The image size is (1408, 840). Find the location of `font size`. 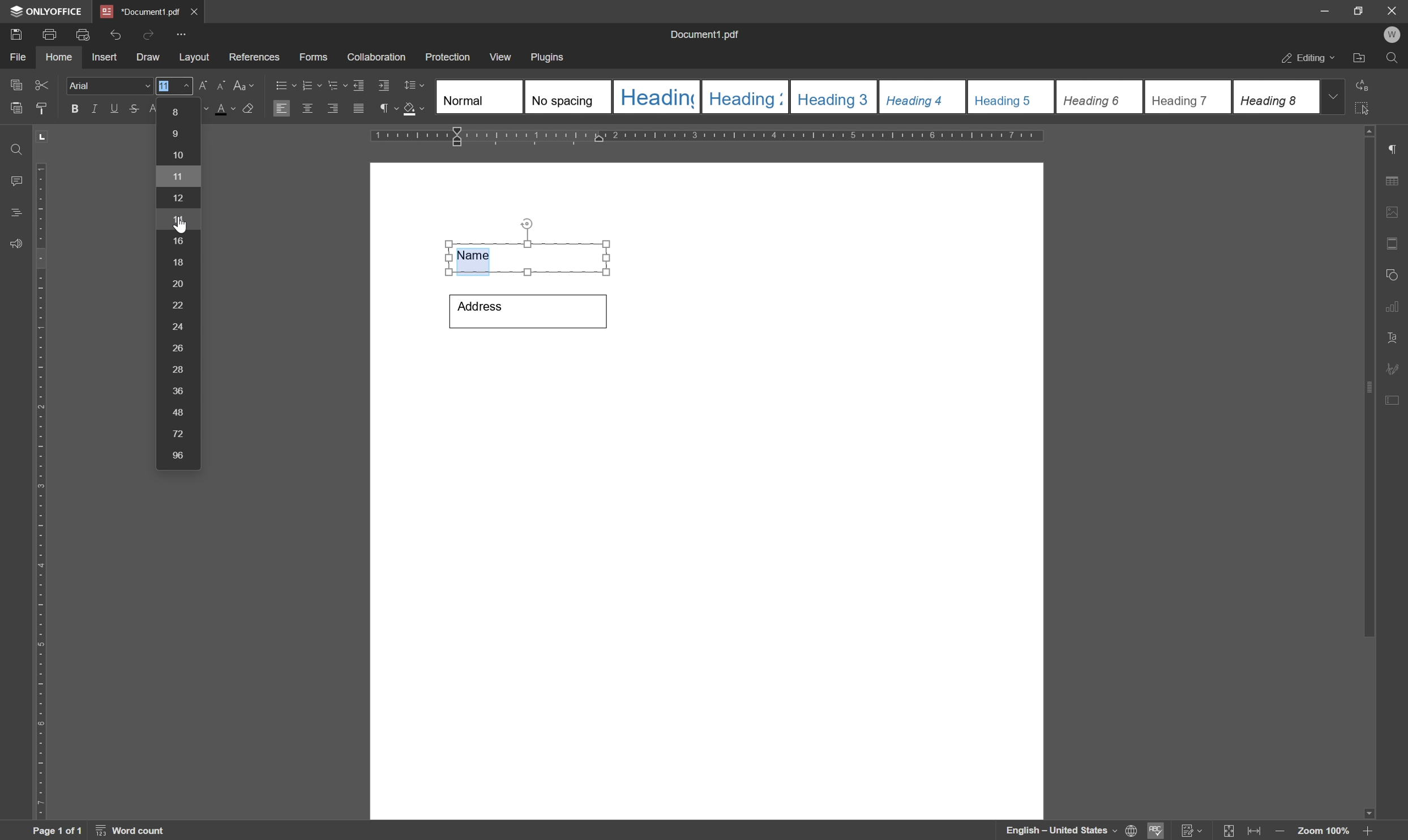

font size is located at coordinates (178, 283).